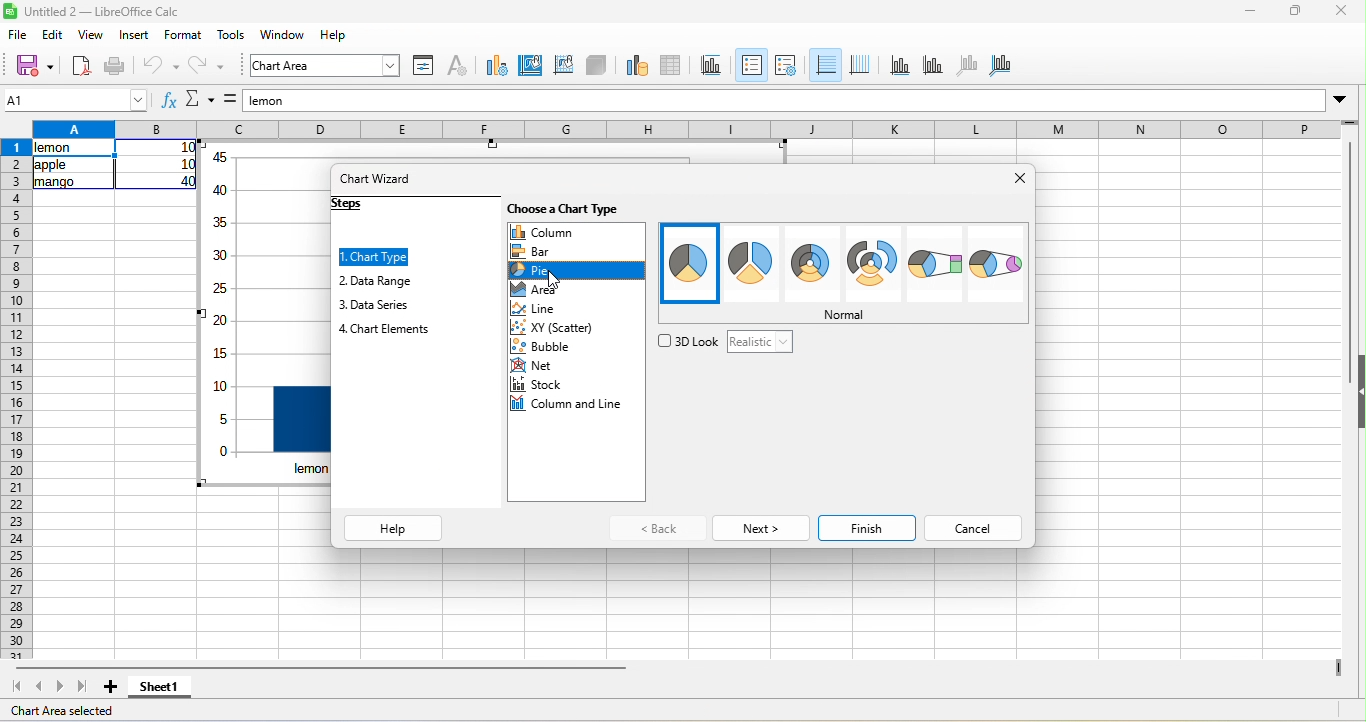 Image resolution: width=1366 pixels, height=722 pixels. What do you see at coordinates (187, 181) in the screenshot?
I see `40` at bounding box center [187, 181].